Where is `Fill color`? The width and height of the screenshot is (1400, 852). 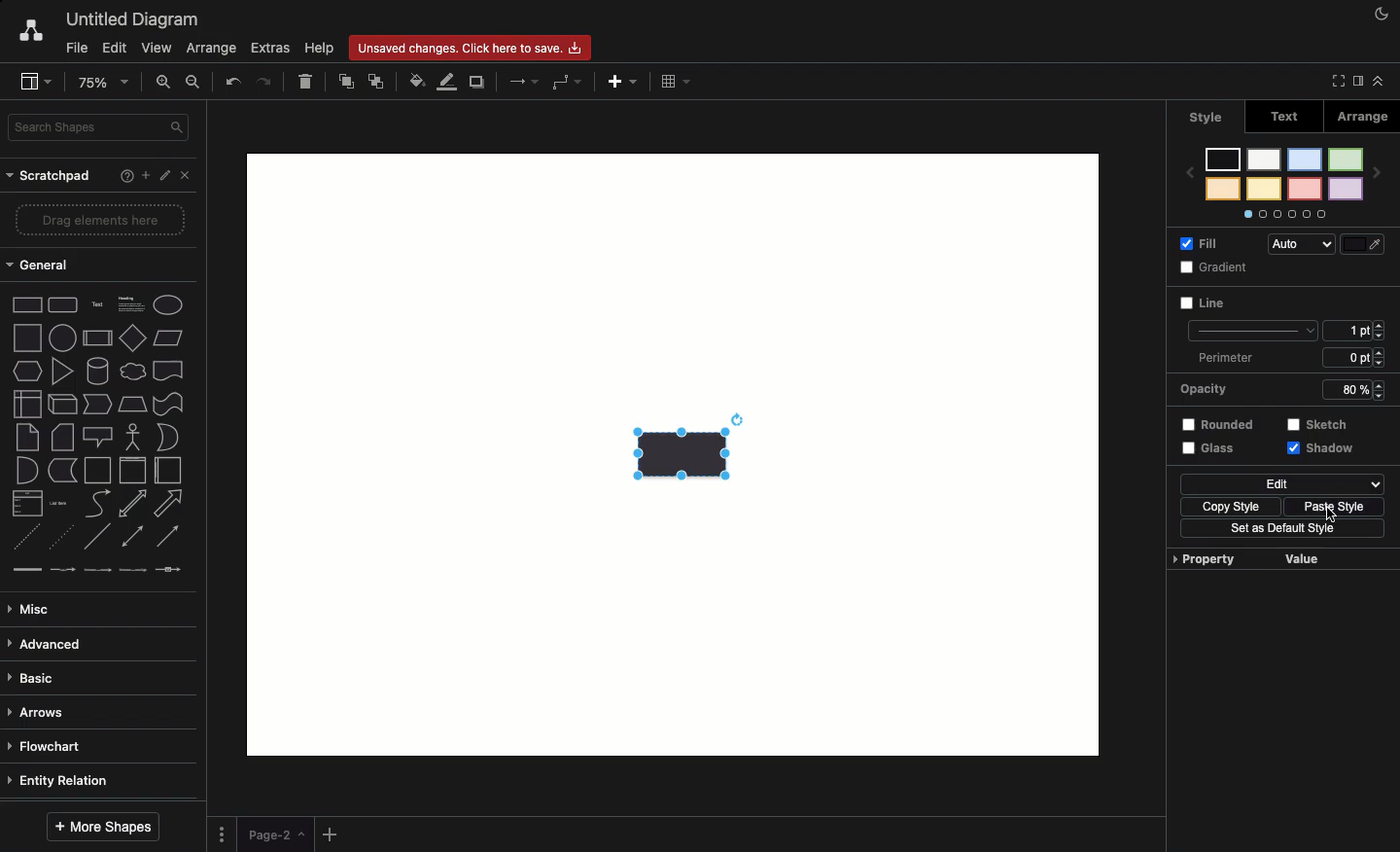
Fill color is located at coordinates (415, 79).